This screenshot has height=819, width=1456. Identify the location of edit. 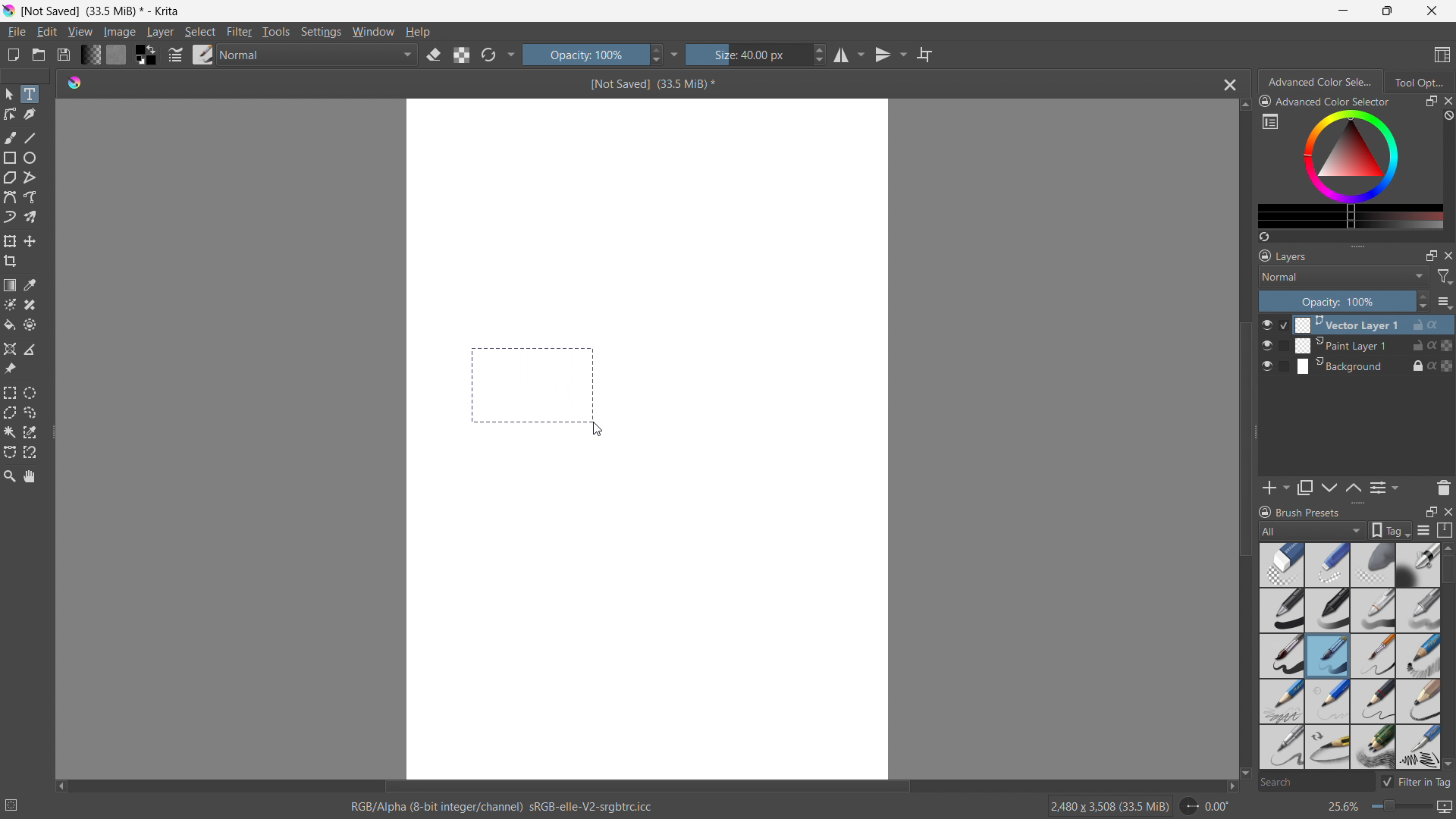
(46, 33).